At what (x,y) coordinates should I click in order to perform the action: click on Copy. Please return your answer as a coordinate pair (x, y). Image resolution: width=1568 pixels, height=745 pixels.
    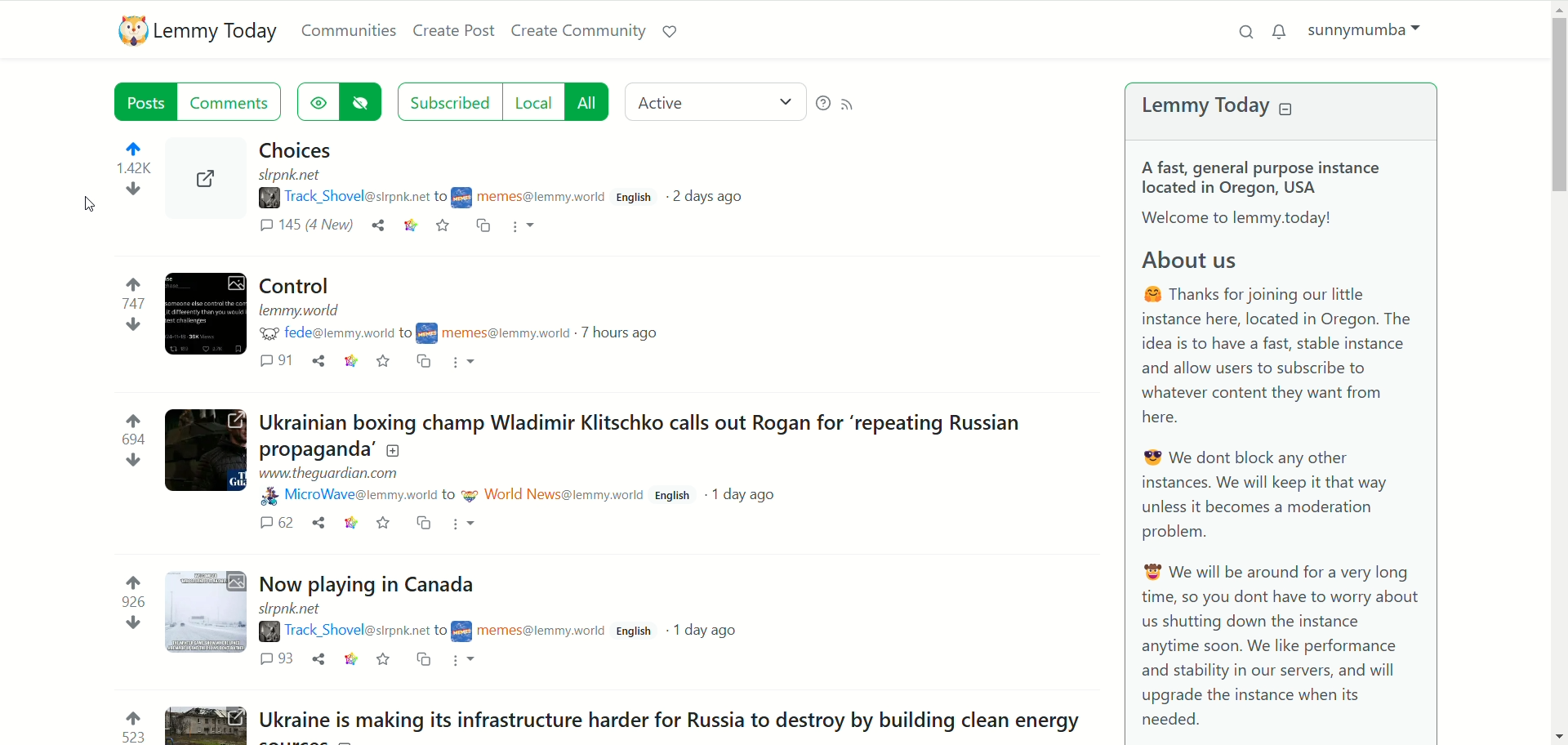
    Looking at the image, I should click on (423, 662).